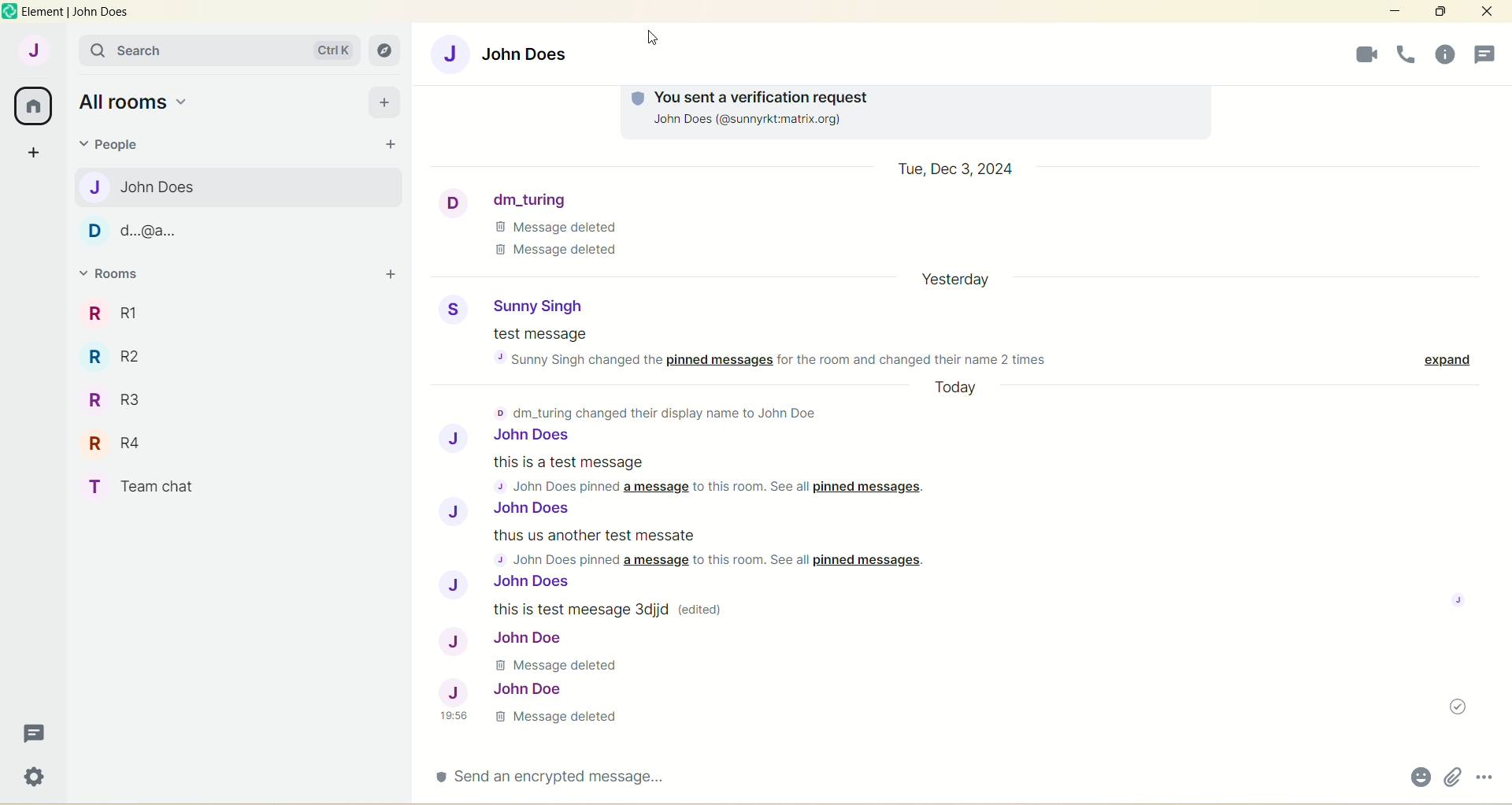 This screenshot has height=805, width=1512. Describe the element at coordinates (77, 14) in the screenshot. I see `element` at that location.